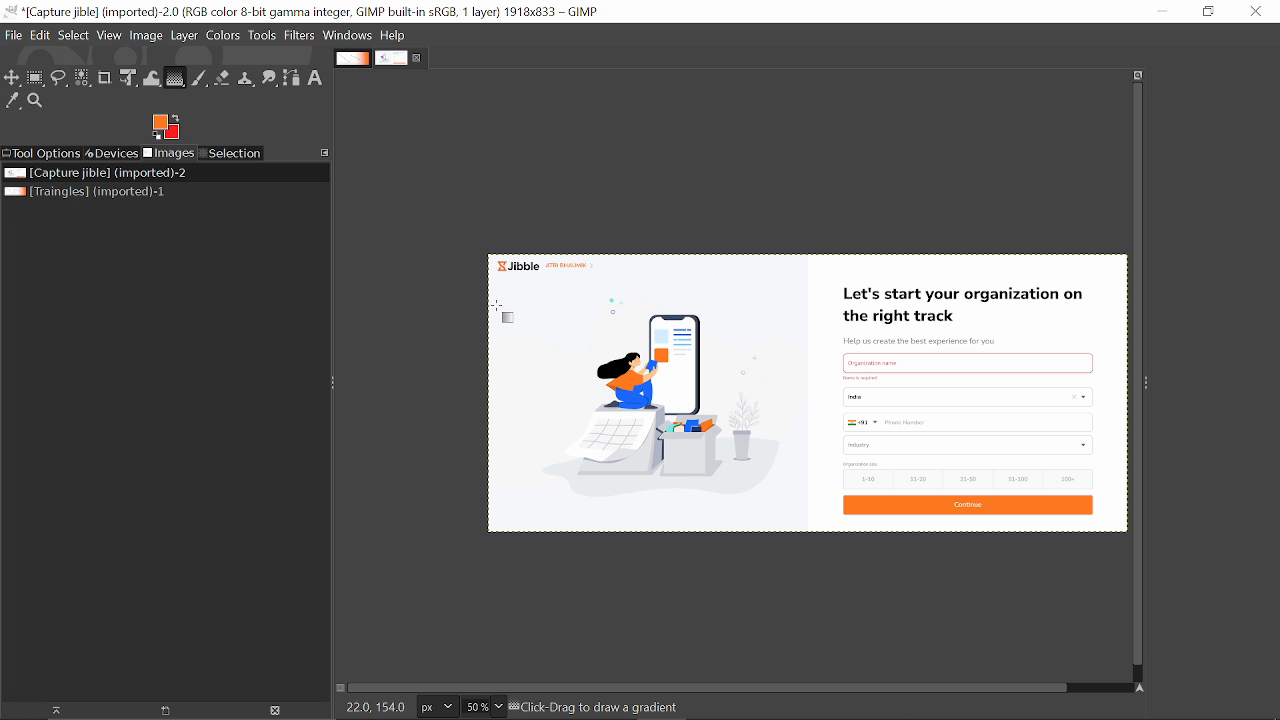  Describe the element at coordinates (268, 77) in the screenshot. I see `Smudge tool` at that location.